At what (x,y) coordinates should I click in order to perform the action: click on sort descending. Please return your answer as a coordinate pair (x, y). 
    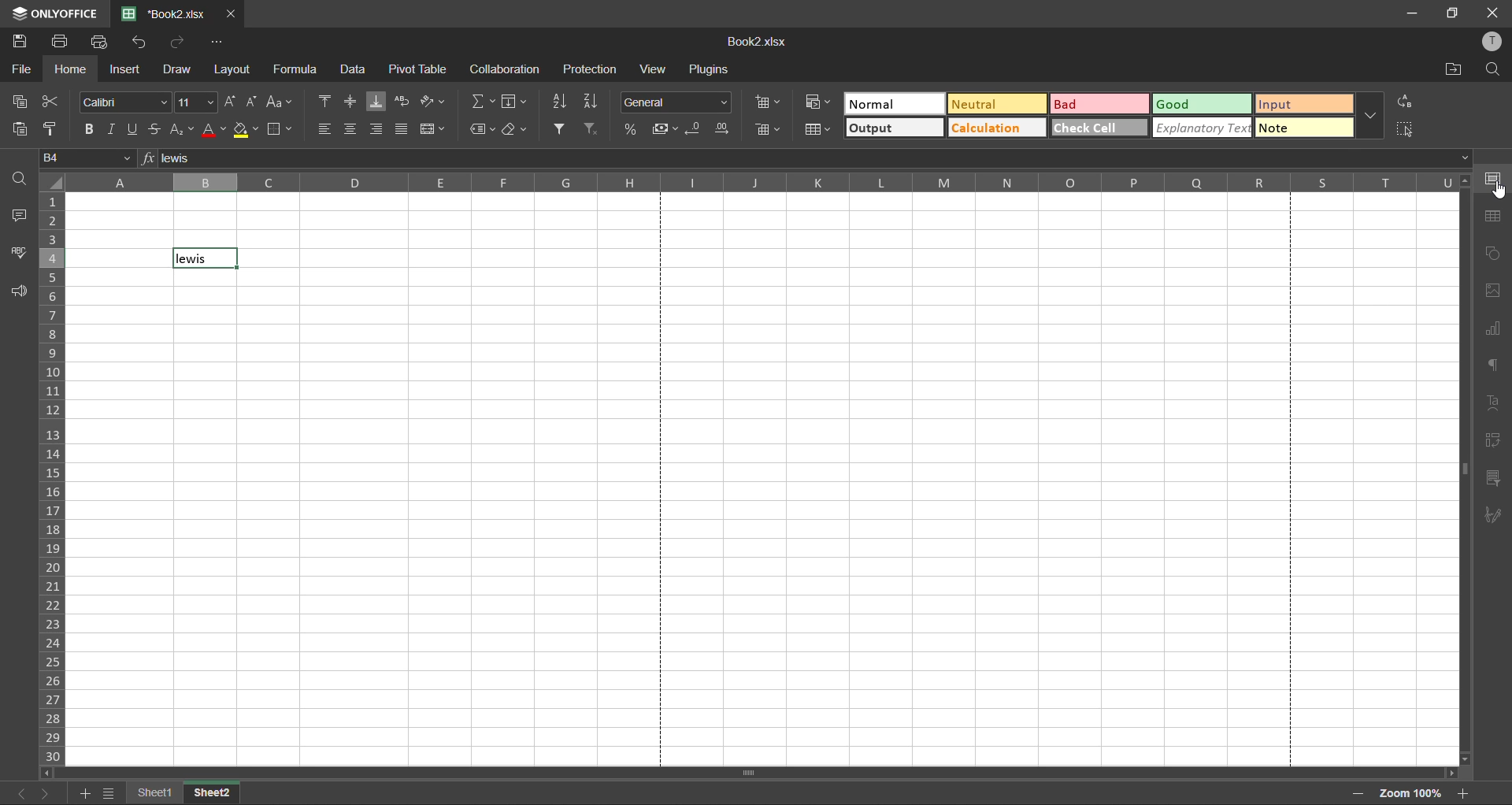
    Looking at the image, I should click on (595, 102).